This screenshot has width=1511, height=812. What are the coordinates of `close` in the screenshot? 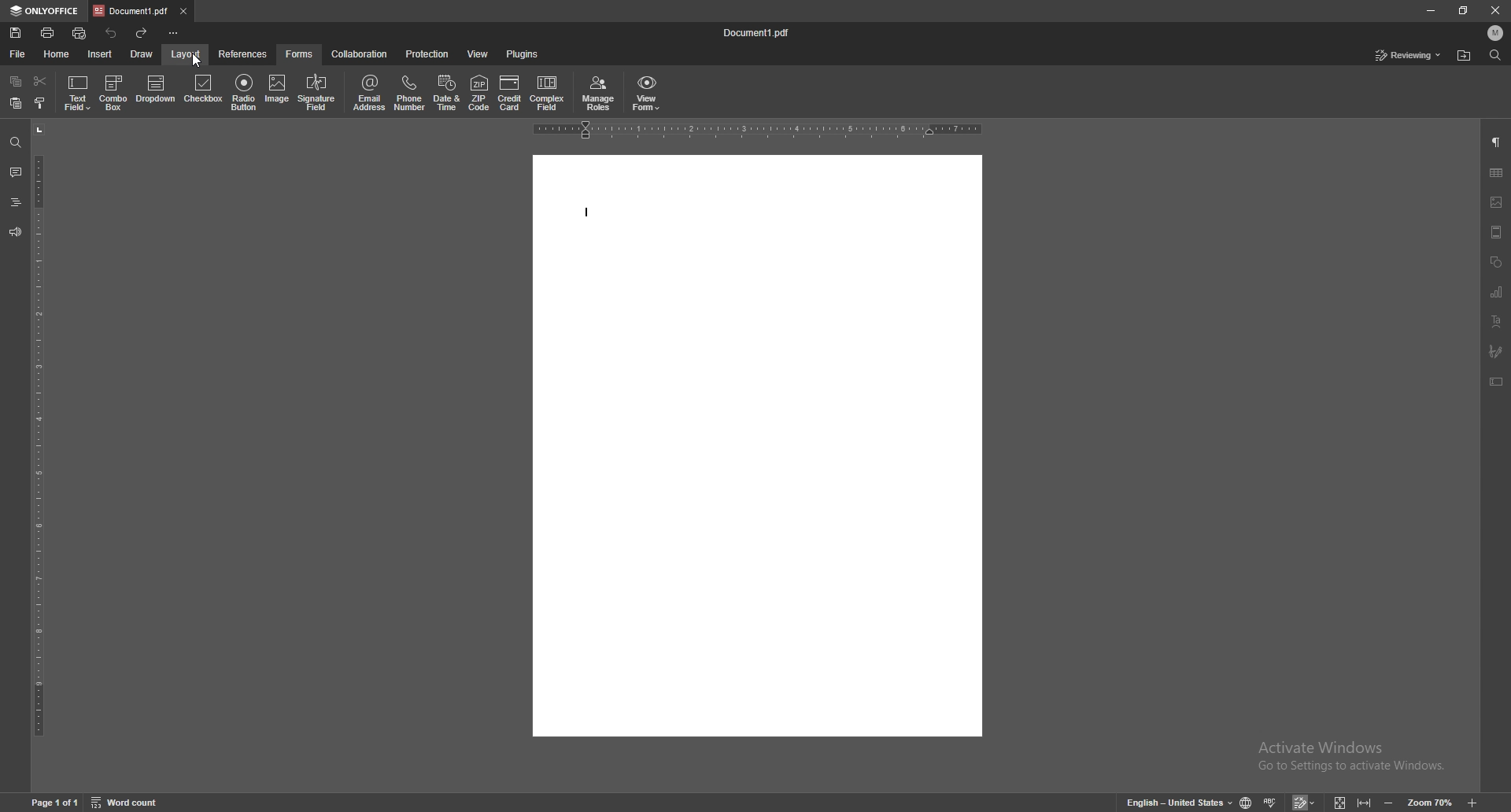 It's located at (1495, 9).